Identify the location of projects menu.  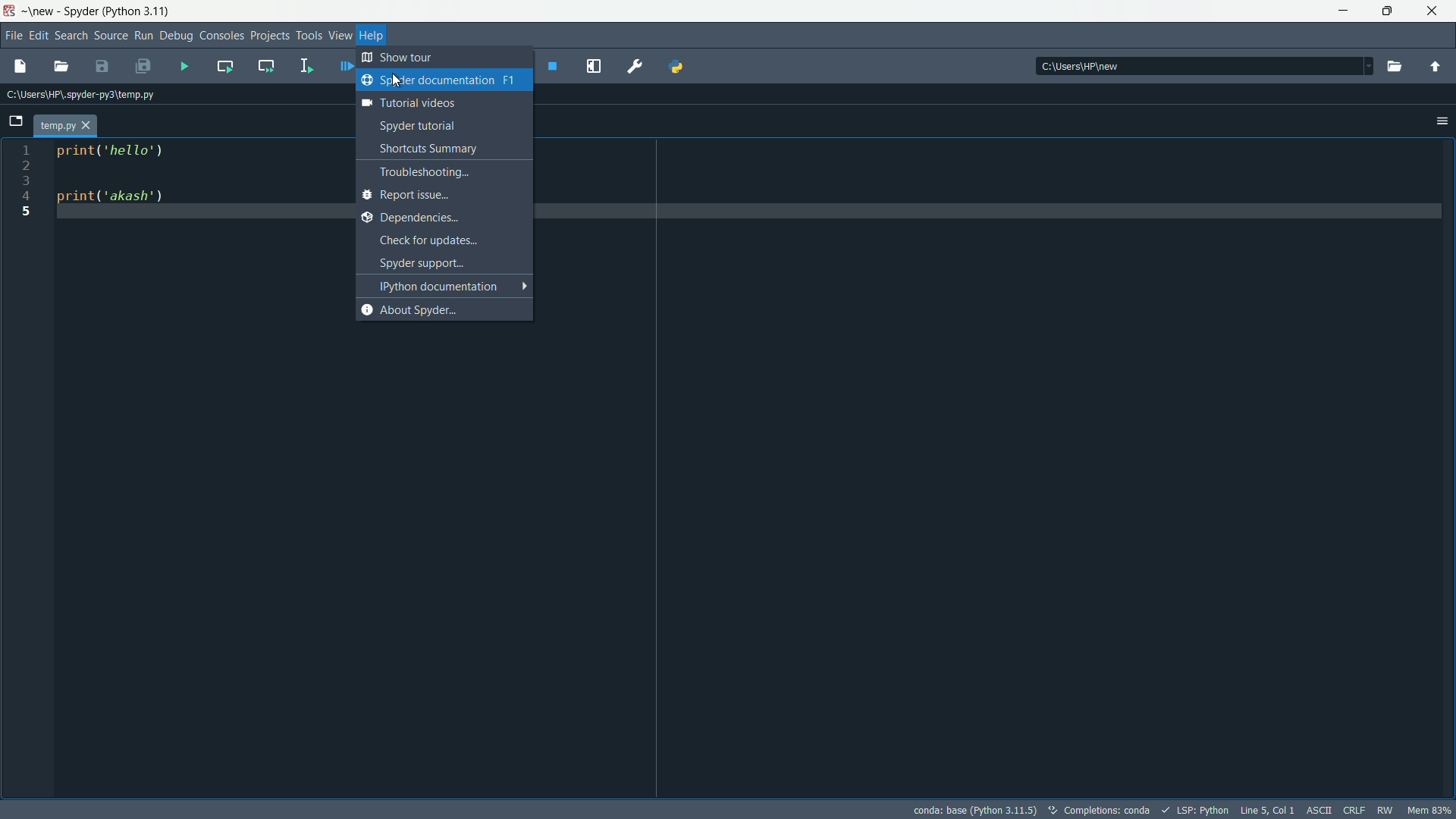
(268, 36).